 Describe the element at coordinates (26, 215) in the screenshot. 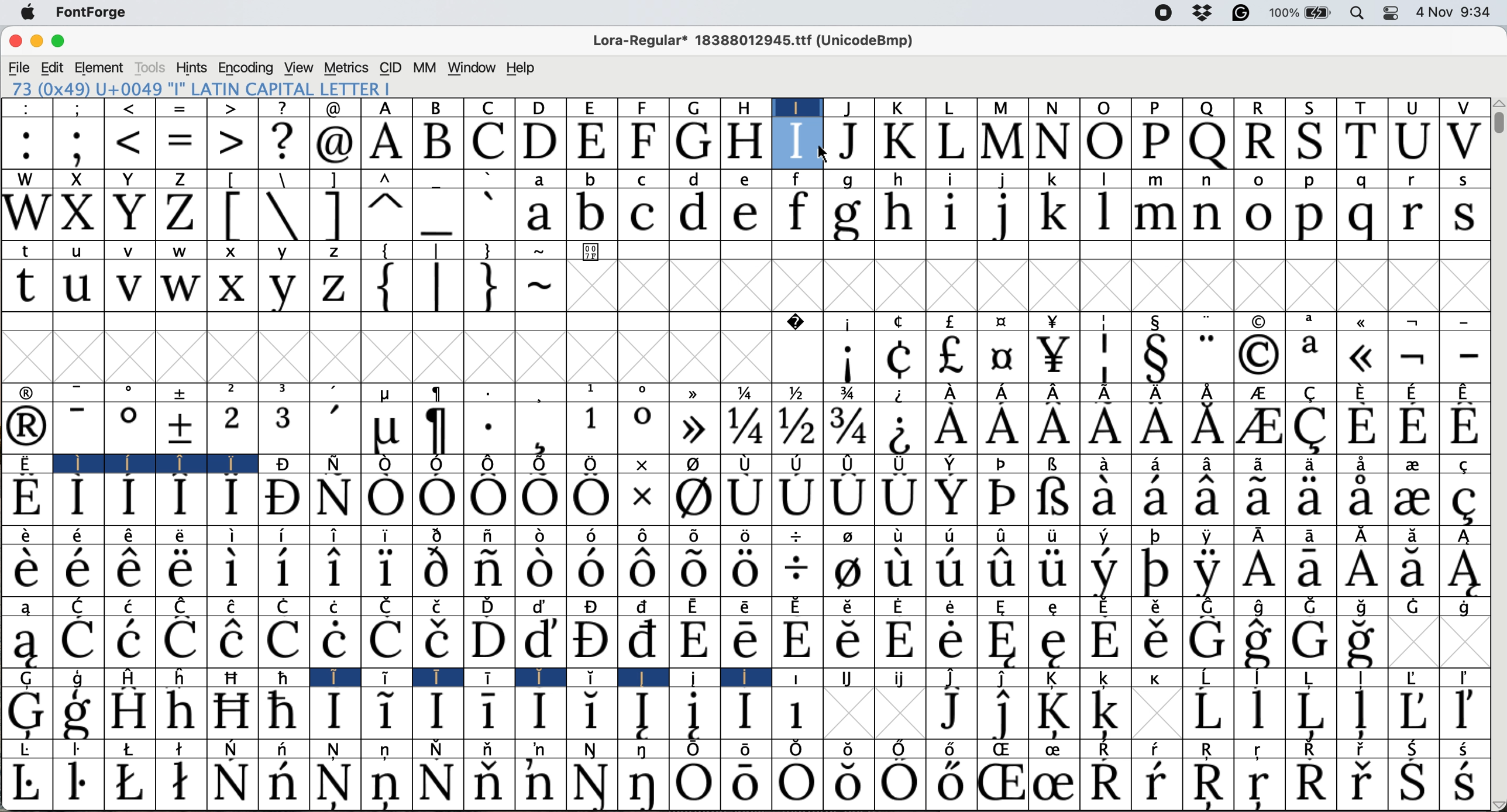

I see `W` at that location.